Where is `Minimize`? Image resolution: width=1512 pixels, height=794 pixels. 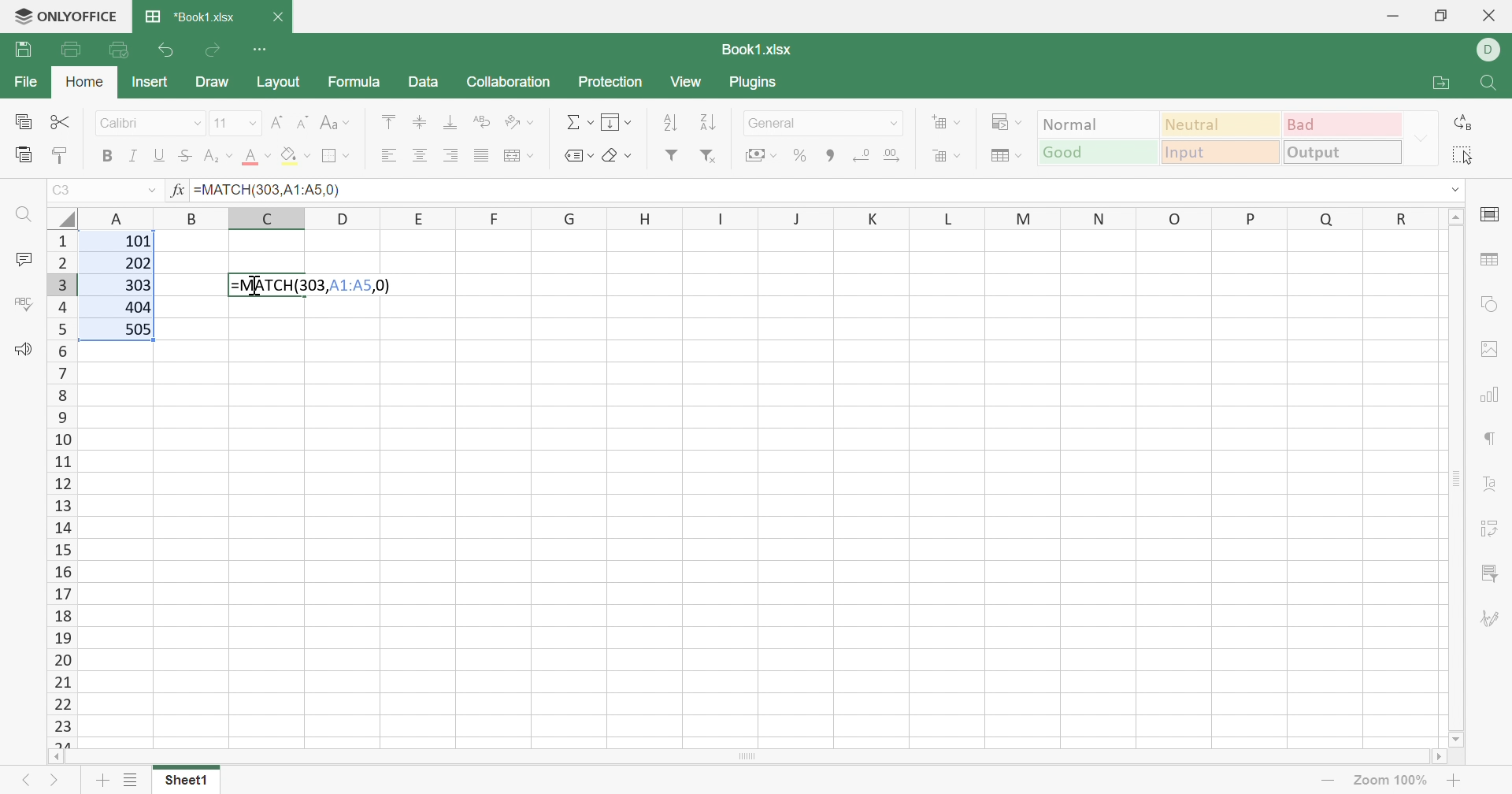 Minimize is located at coordinates (1395, 13).